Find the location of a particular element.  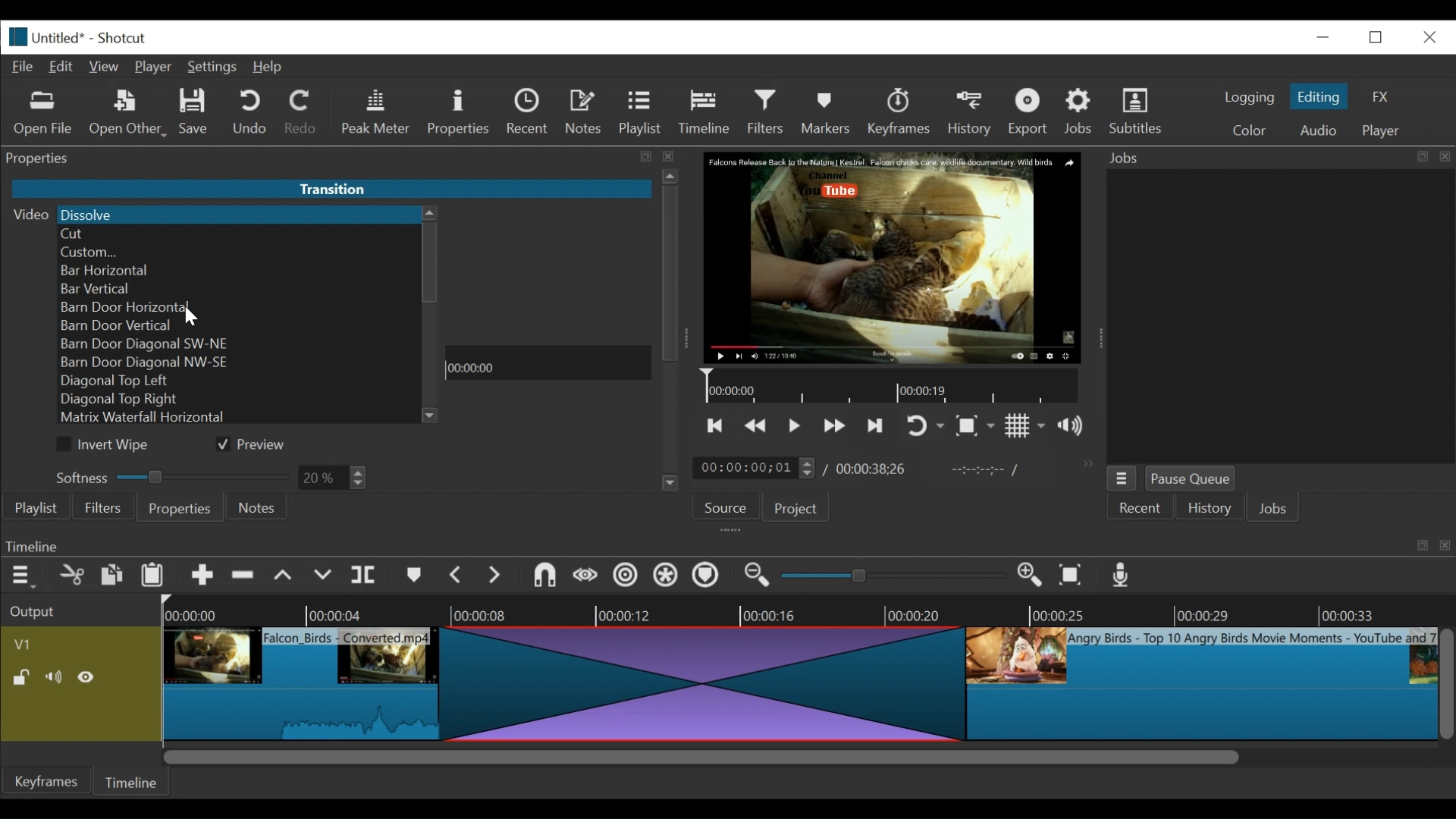

copy is located at coordinates (113, 577).